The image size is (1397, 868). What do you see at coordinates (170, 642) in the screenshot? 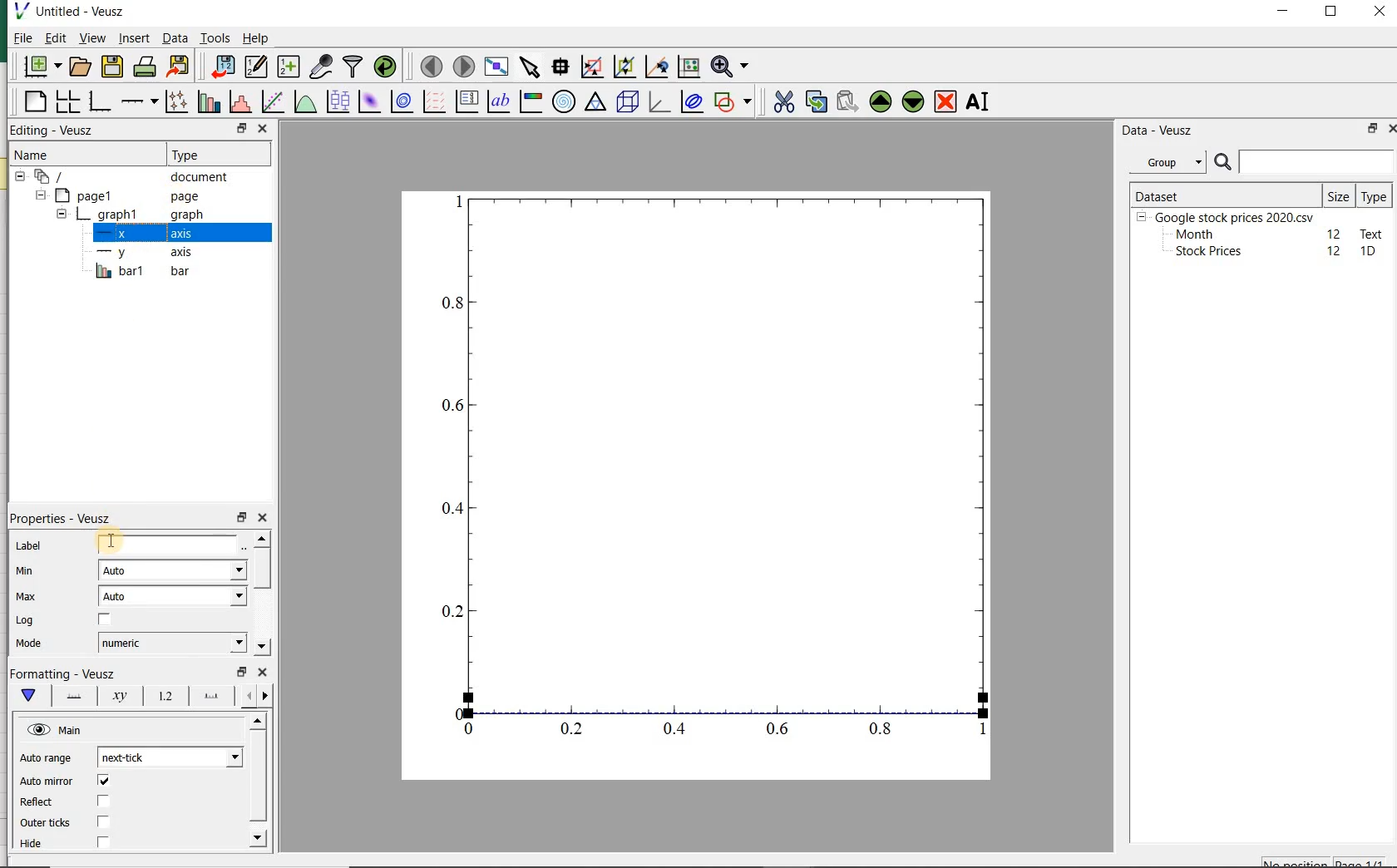
I see `numeric` at bounding box center [170, 642].